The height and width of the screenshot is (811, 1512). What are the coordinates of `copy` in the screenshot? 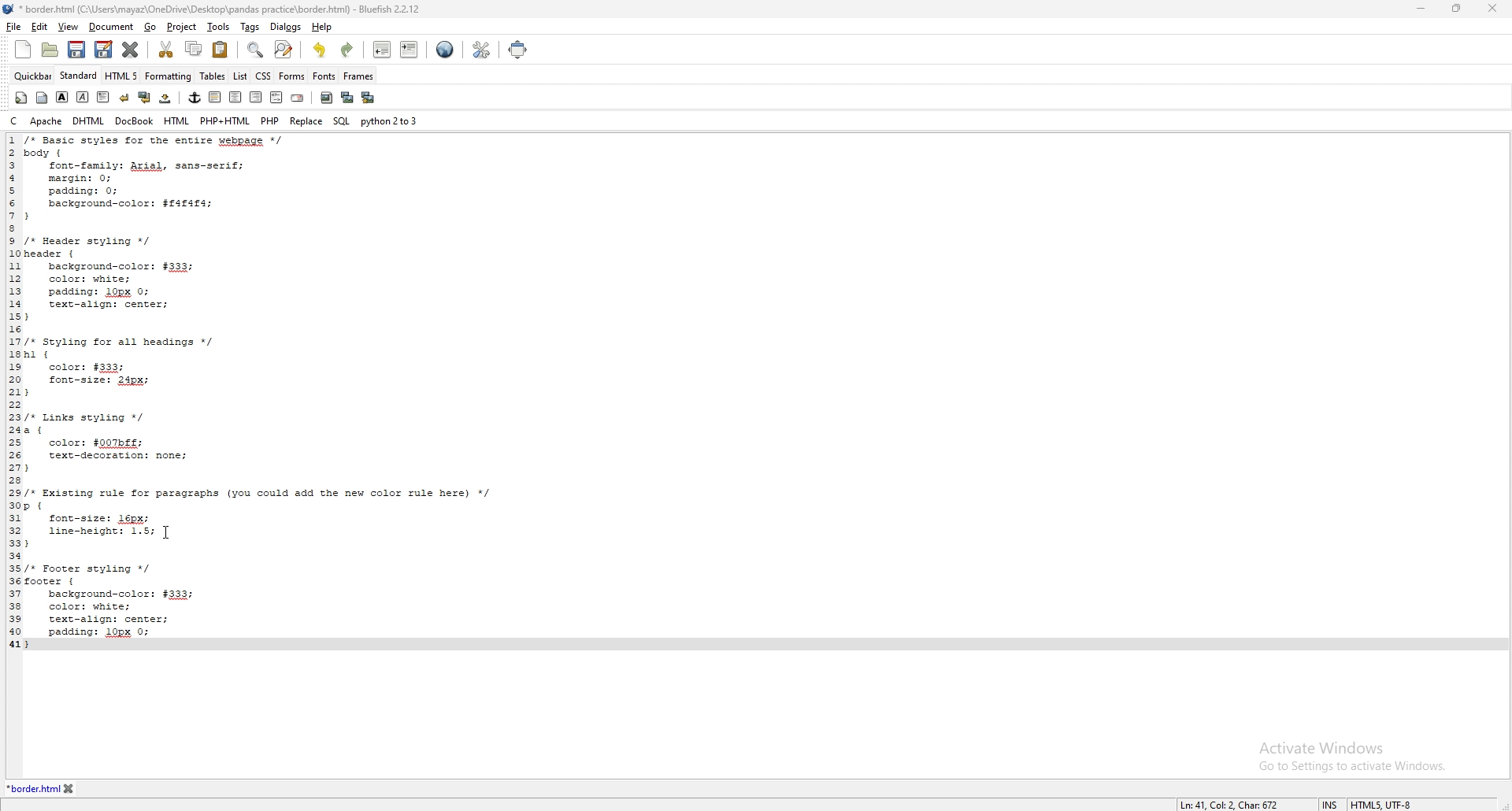 It's located at (192, 49).